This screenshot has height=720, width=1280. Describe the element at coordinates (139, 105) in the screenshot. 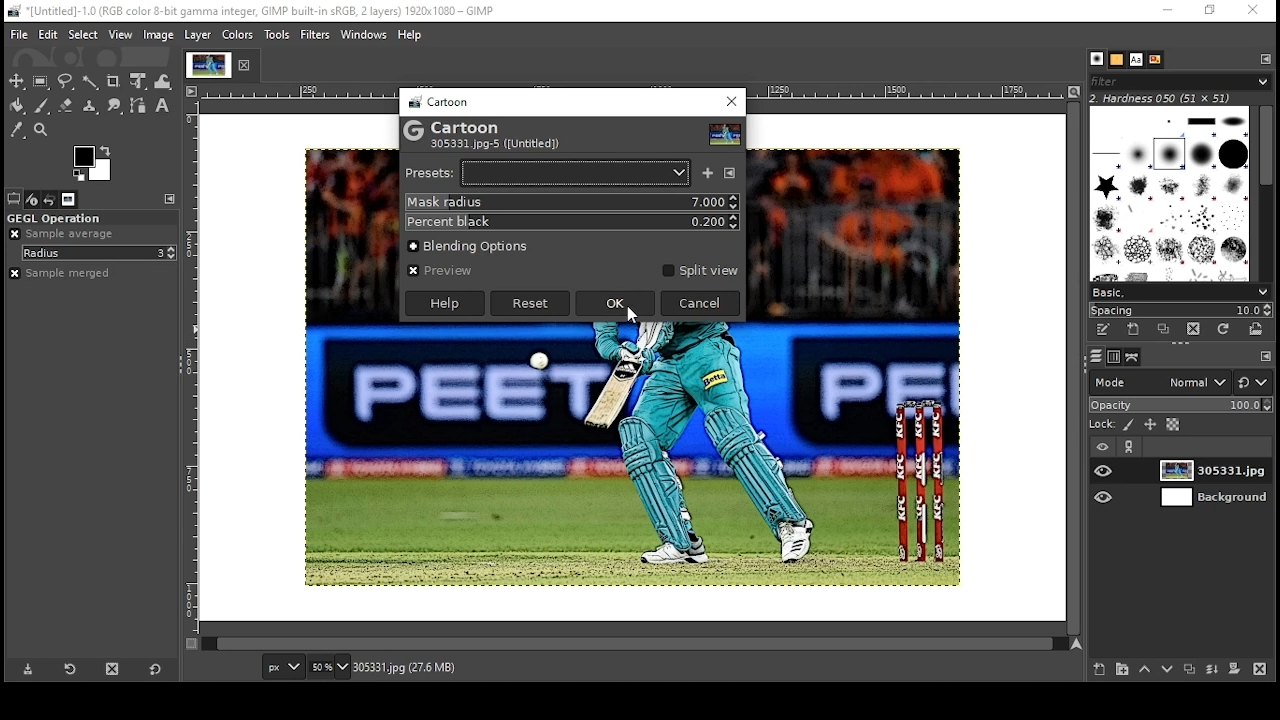

I see `paths tool` at that location.